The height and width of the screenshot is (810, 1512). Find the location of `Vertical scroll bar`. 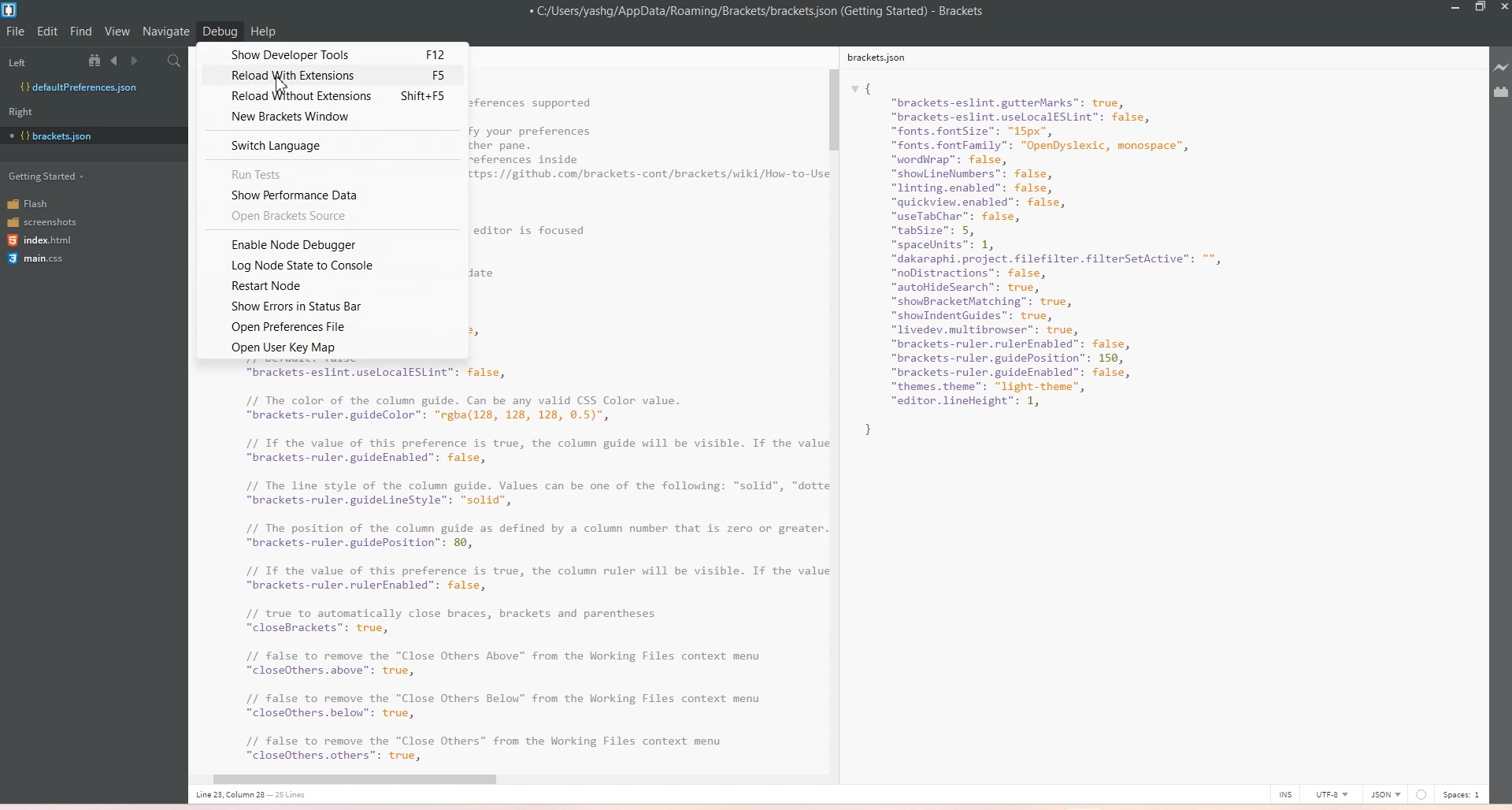

Vertical scroll bar is located at coordinates (832, 403).